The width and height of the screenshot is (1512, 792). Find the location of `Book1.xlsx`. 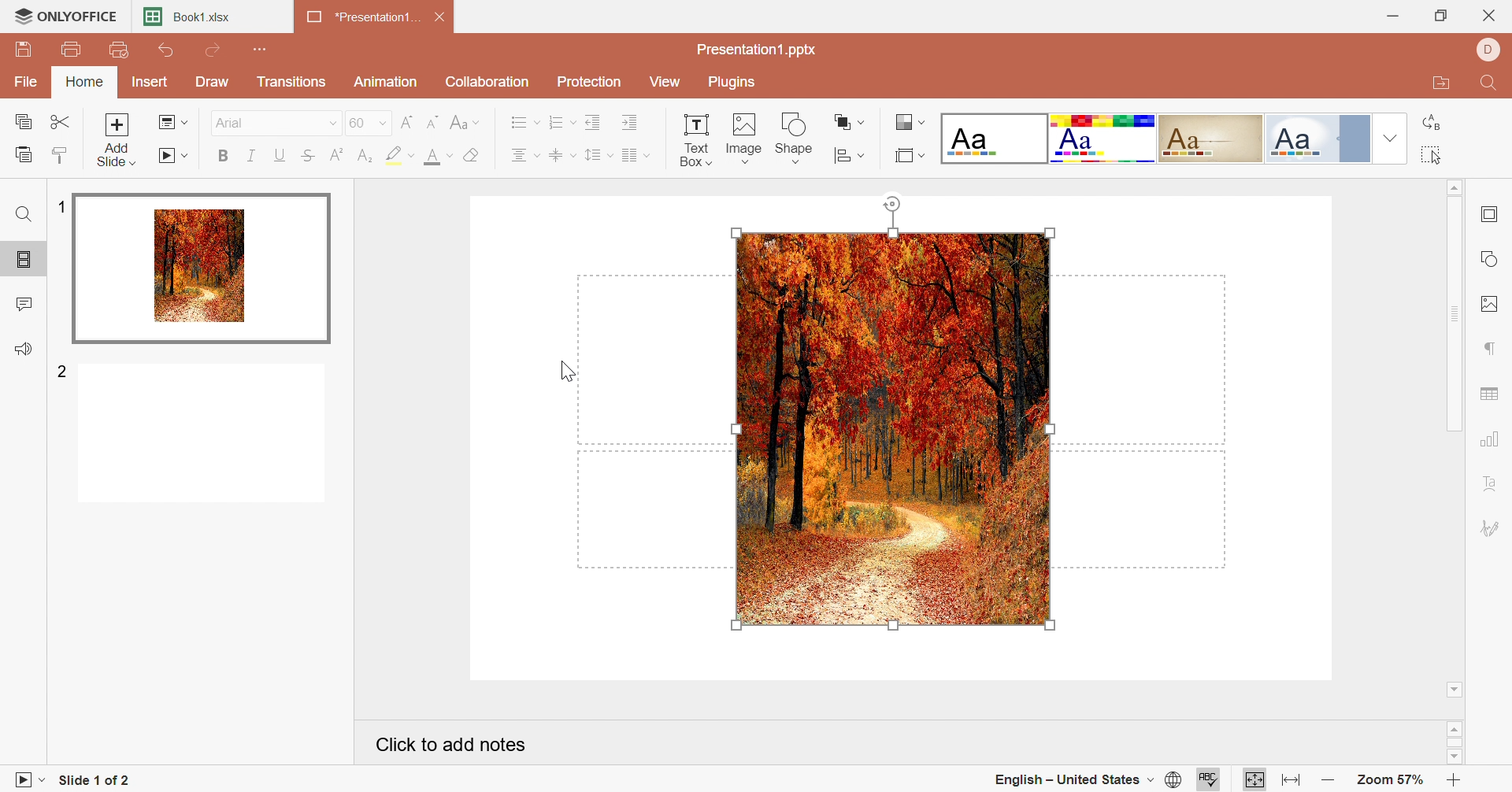

Book1.xlsx is located at coordinates (193, 16).